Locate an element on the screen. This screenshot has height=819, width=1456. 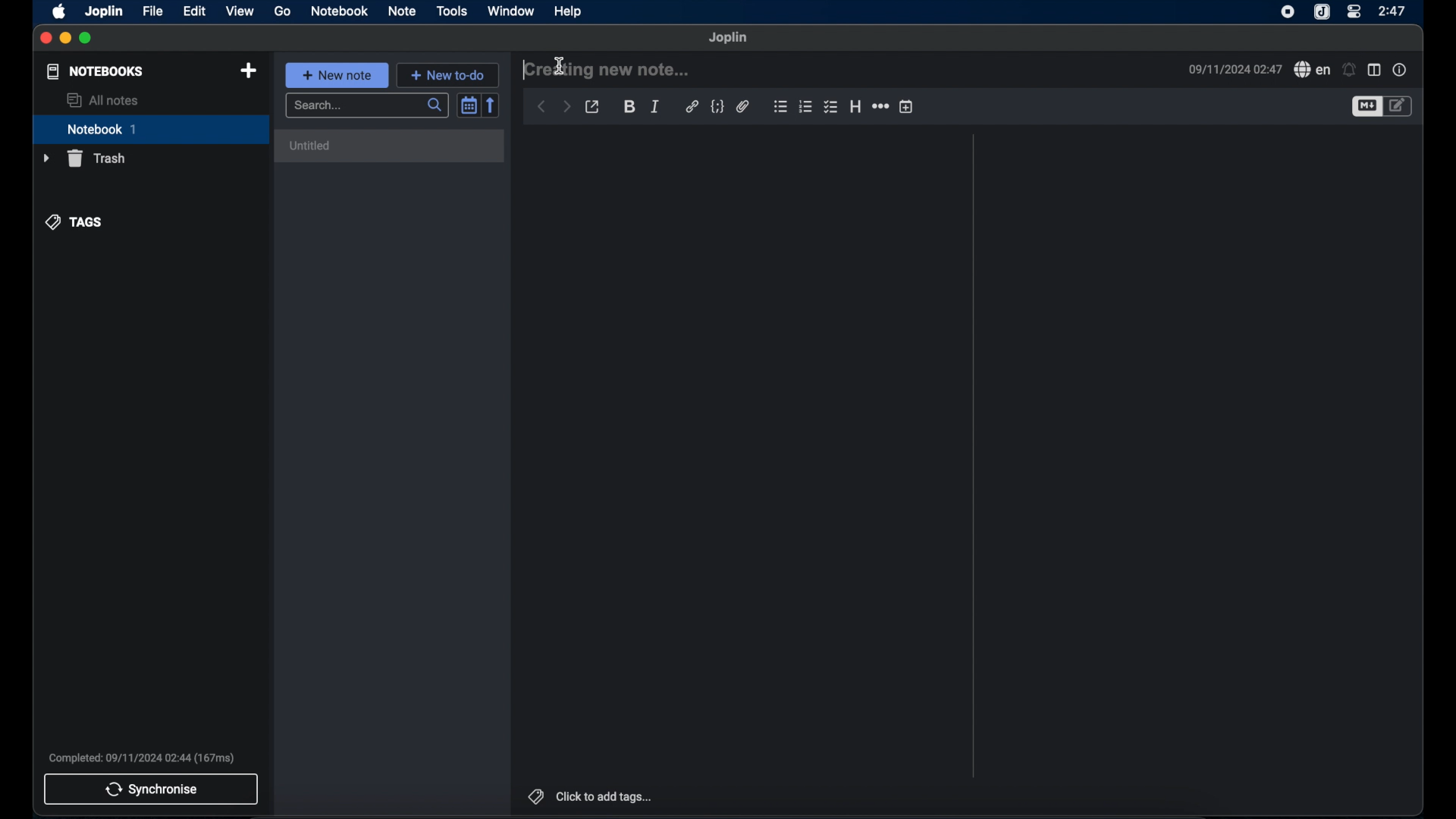
bulleted number list is located at coordinates (805, 107).